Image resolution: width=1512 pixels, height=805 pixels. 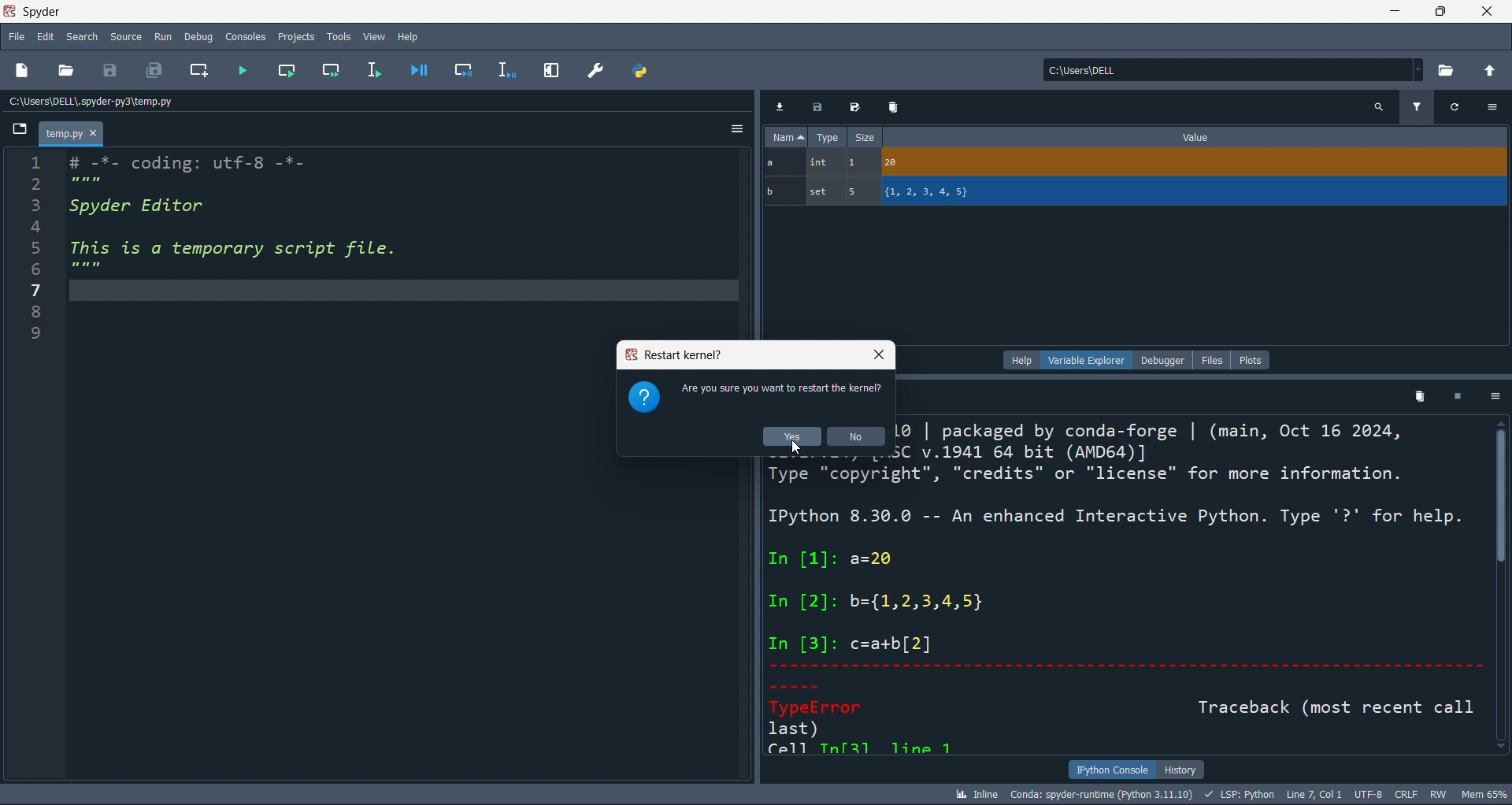 What do you see at coordinates (1485, 793) in the screenshot?
I see `mem 65%` at bounding box center [1485, 793].